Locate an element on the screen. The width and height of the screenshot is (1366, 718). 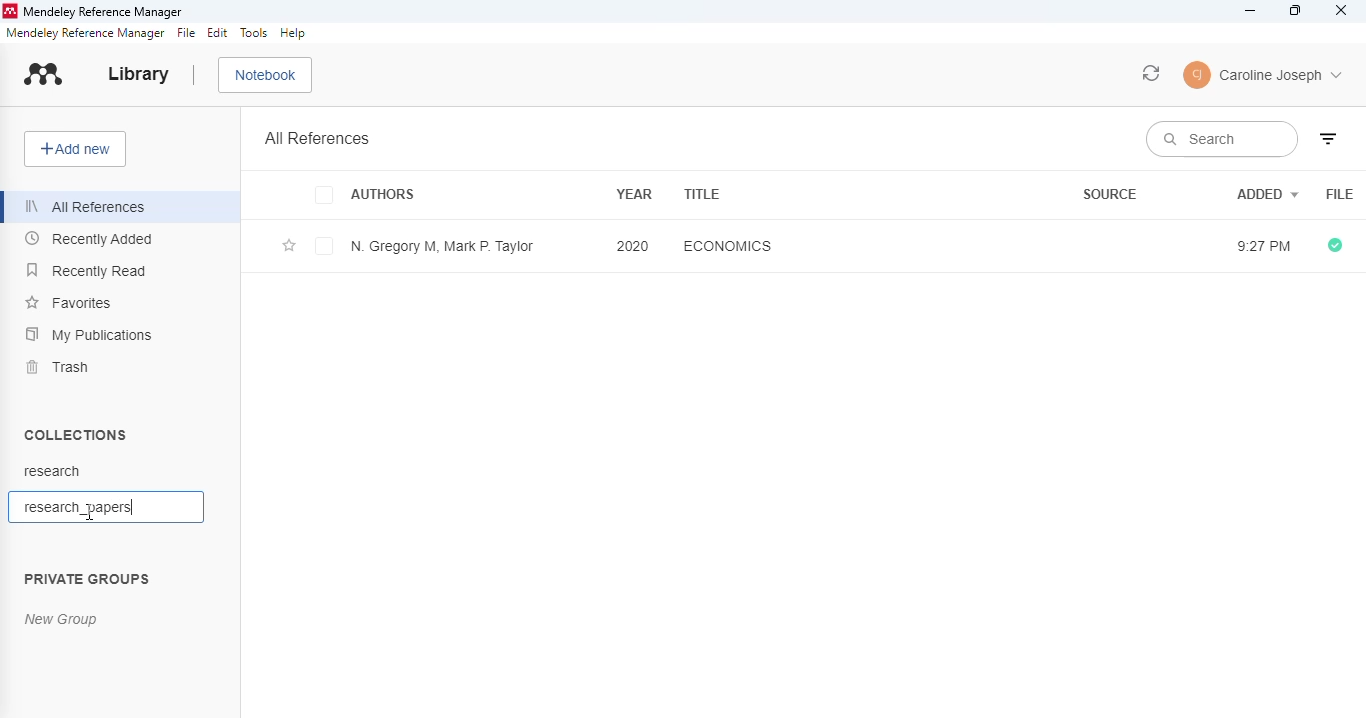
my publications is located at coordinates (89, 335).